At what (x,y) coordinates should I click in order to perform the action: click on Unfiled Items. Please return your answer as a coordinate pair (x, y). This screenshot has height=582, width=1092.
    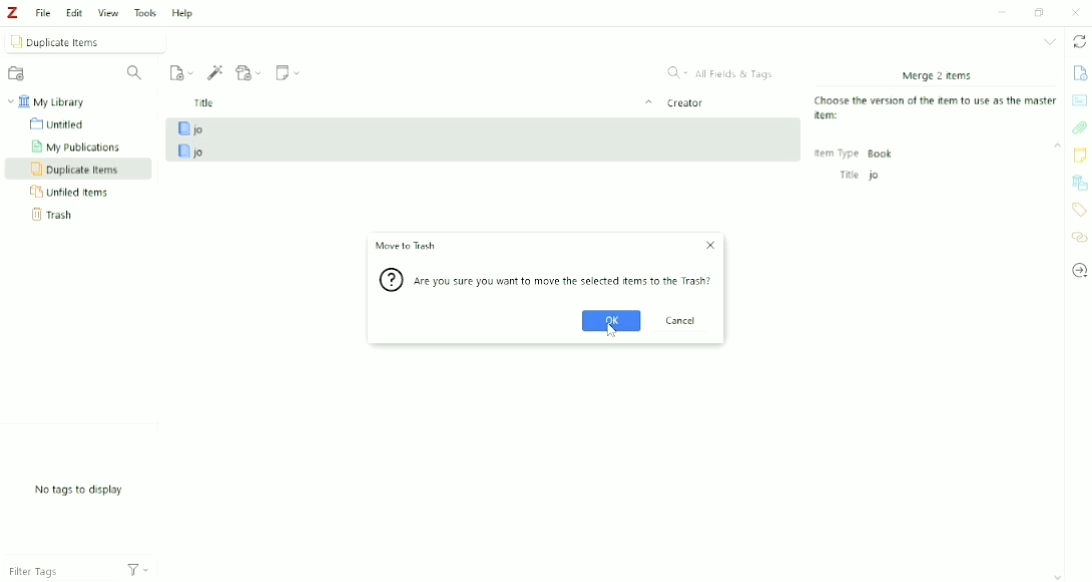
    Looking at the image, I should click on (77, 192).